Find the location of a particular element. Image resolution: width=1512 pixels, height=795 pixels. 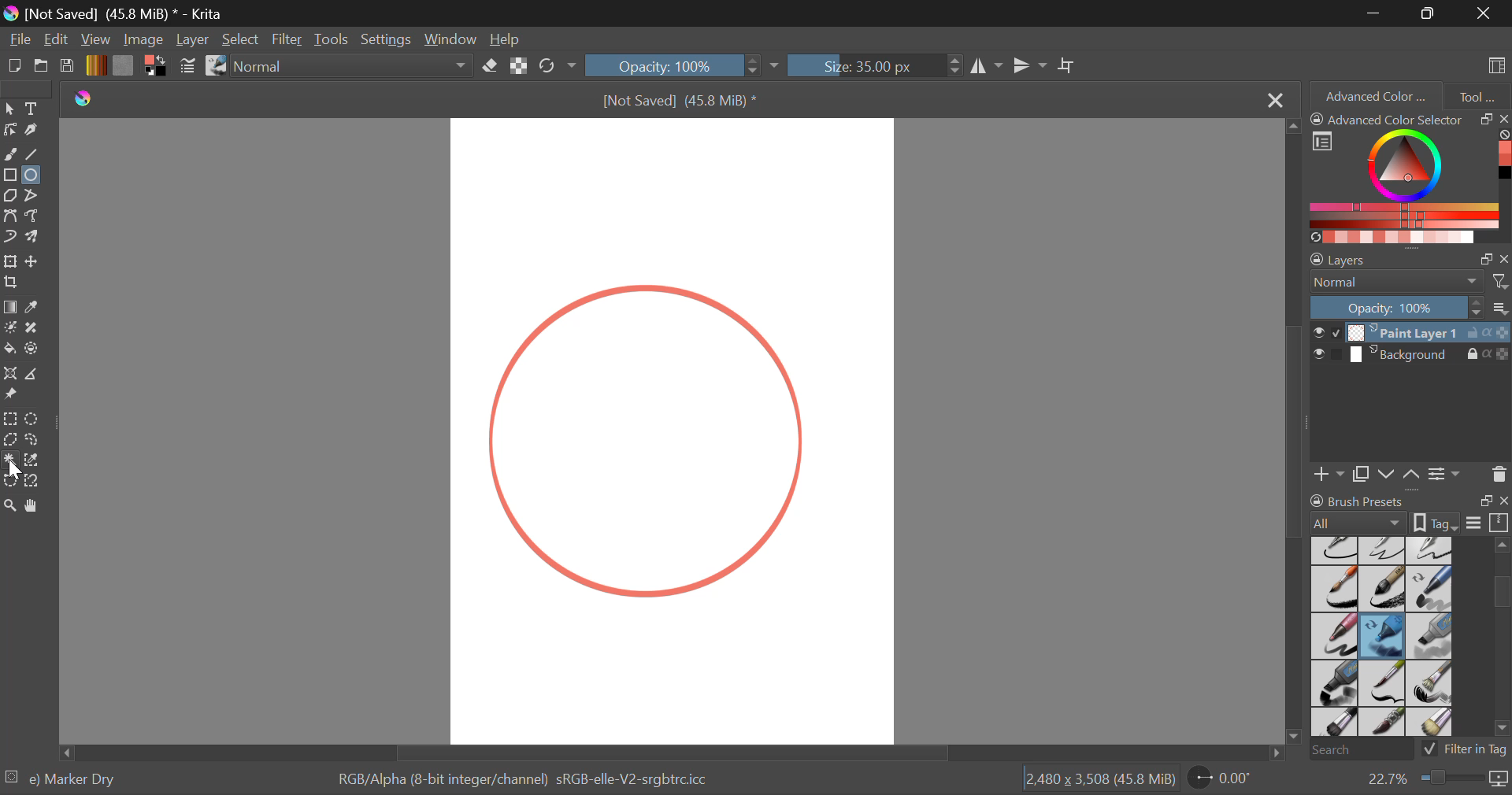

Stroke Type is located at coordinates (215, 67).